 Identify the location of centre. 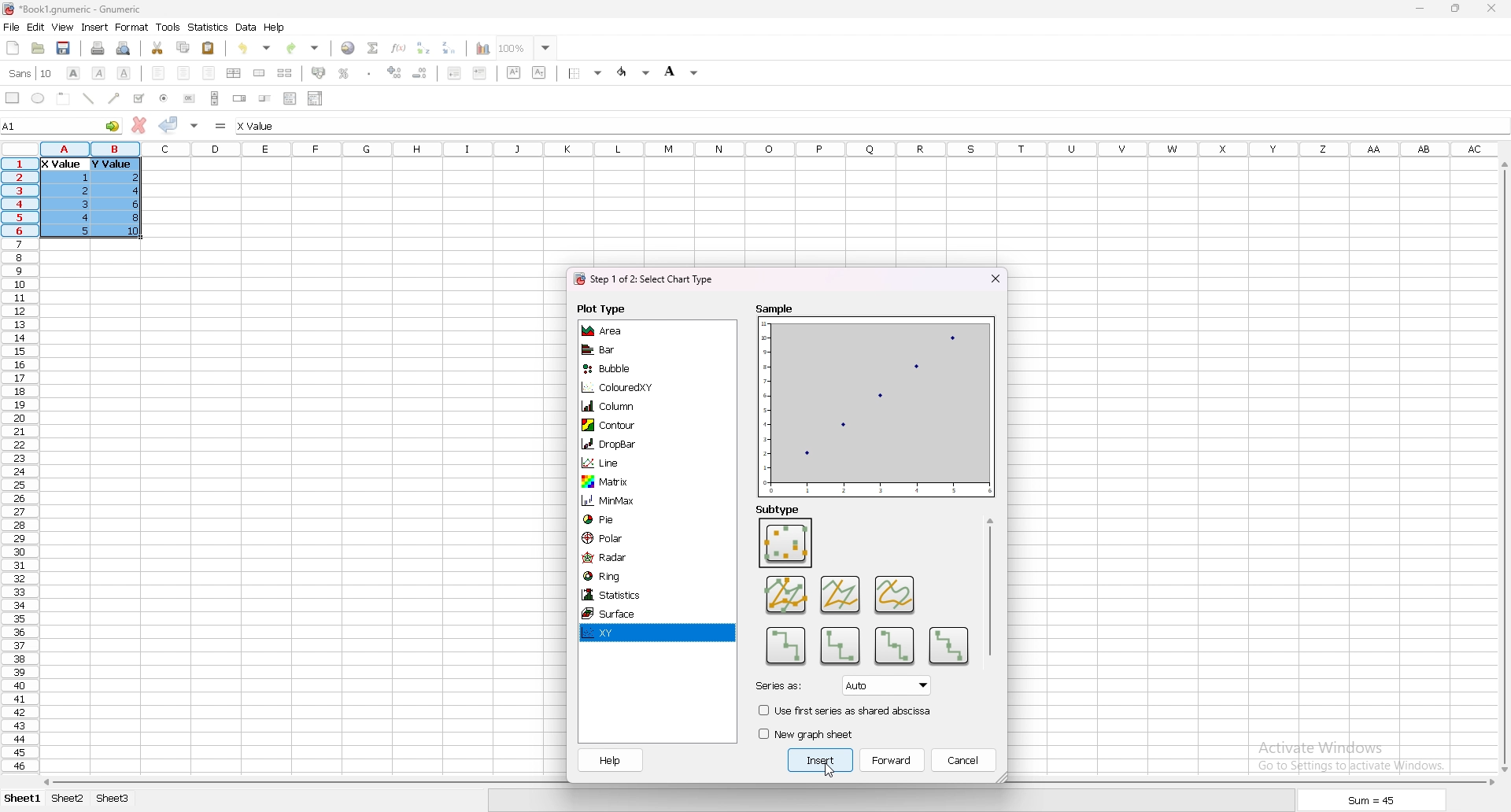
(184, 72).